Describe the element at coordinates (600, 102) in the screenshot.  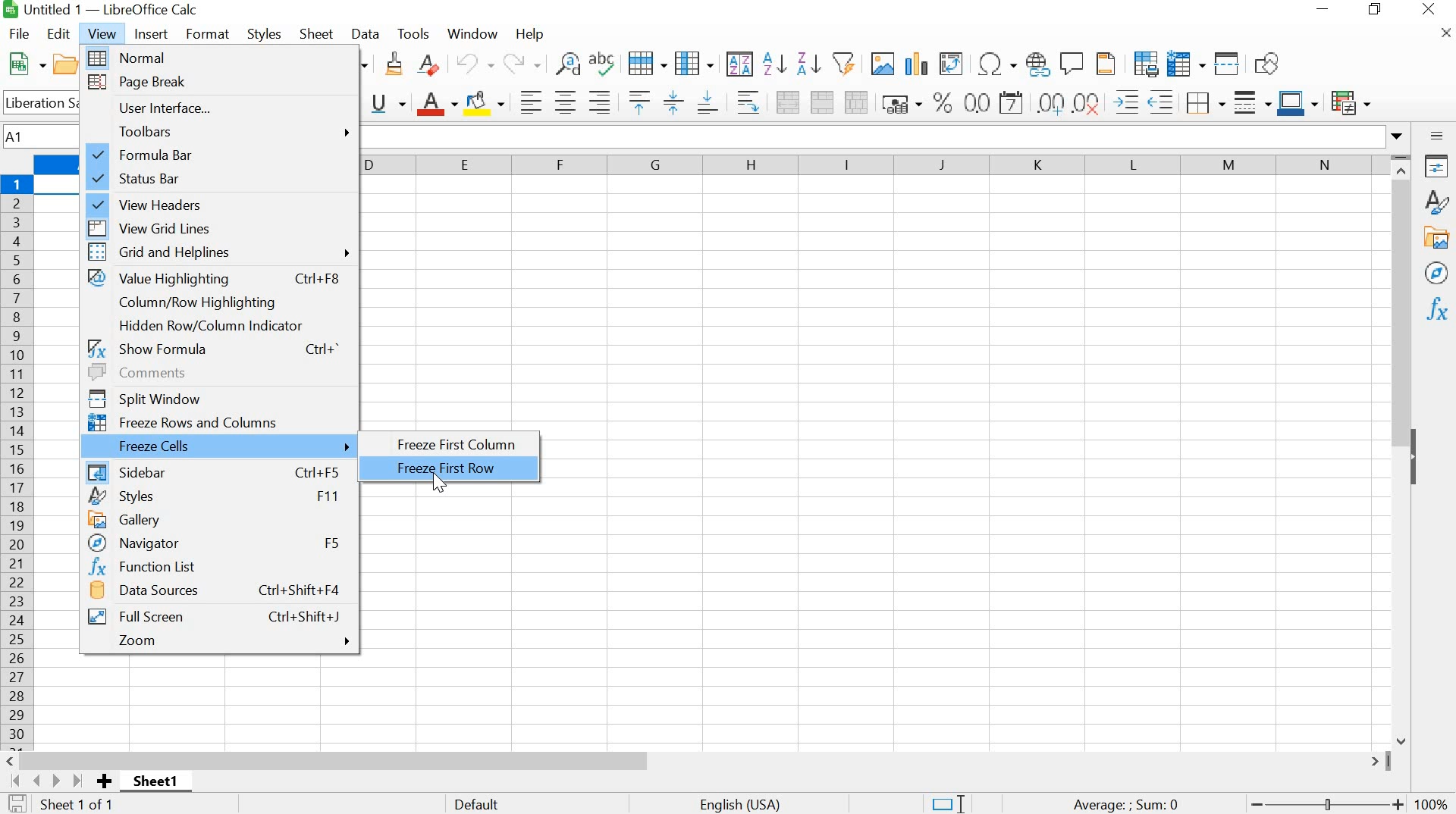
I see `ALIGN RIGHT` at that location.